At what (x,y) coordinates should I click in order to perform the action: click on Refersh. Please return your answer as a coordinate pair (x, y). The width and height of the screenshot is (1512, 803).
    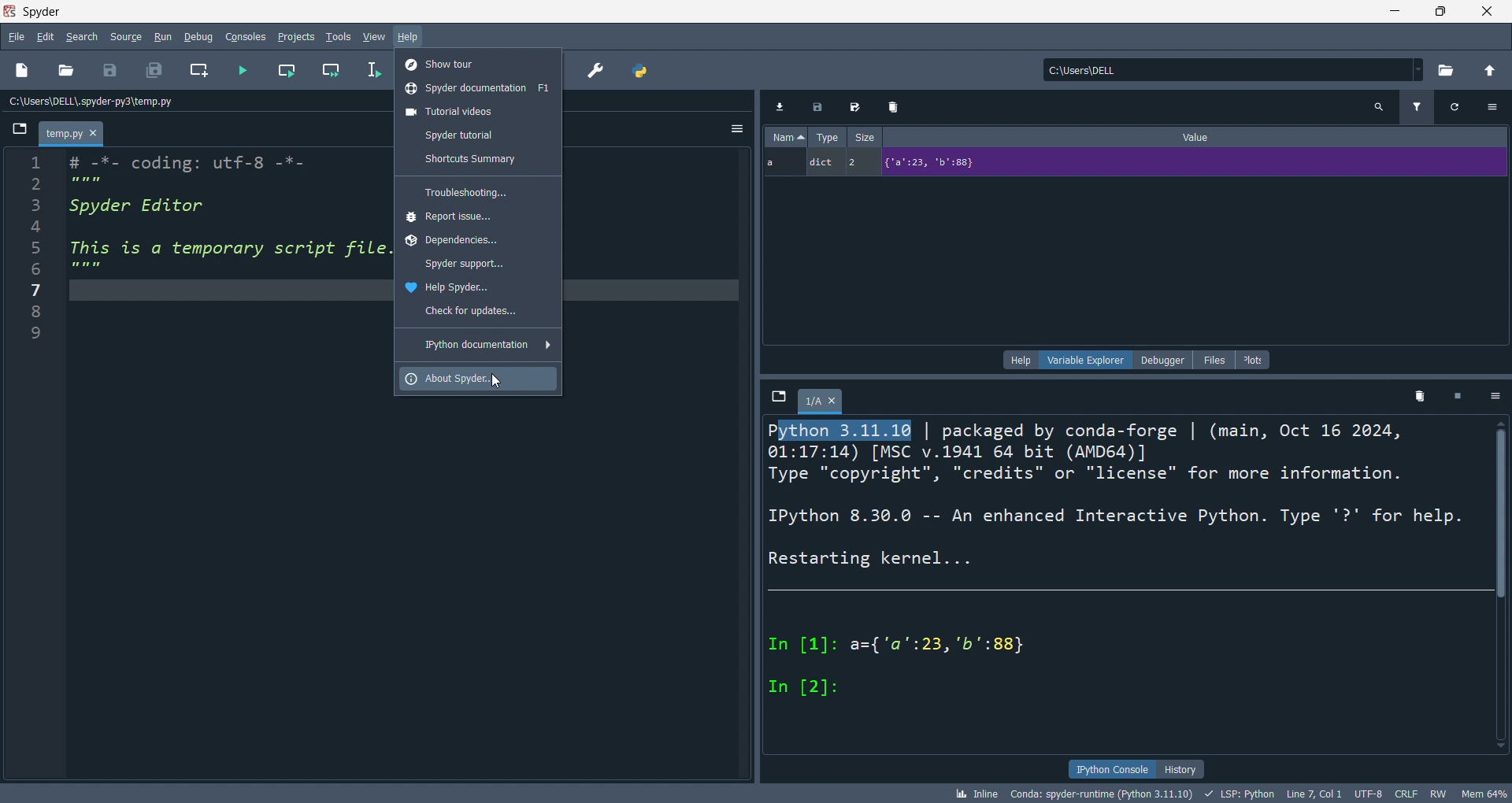
    Looking at the image, I should click on (1456, 108).